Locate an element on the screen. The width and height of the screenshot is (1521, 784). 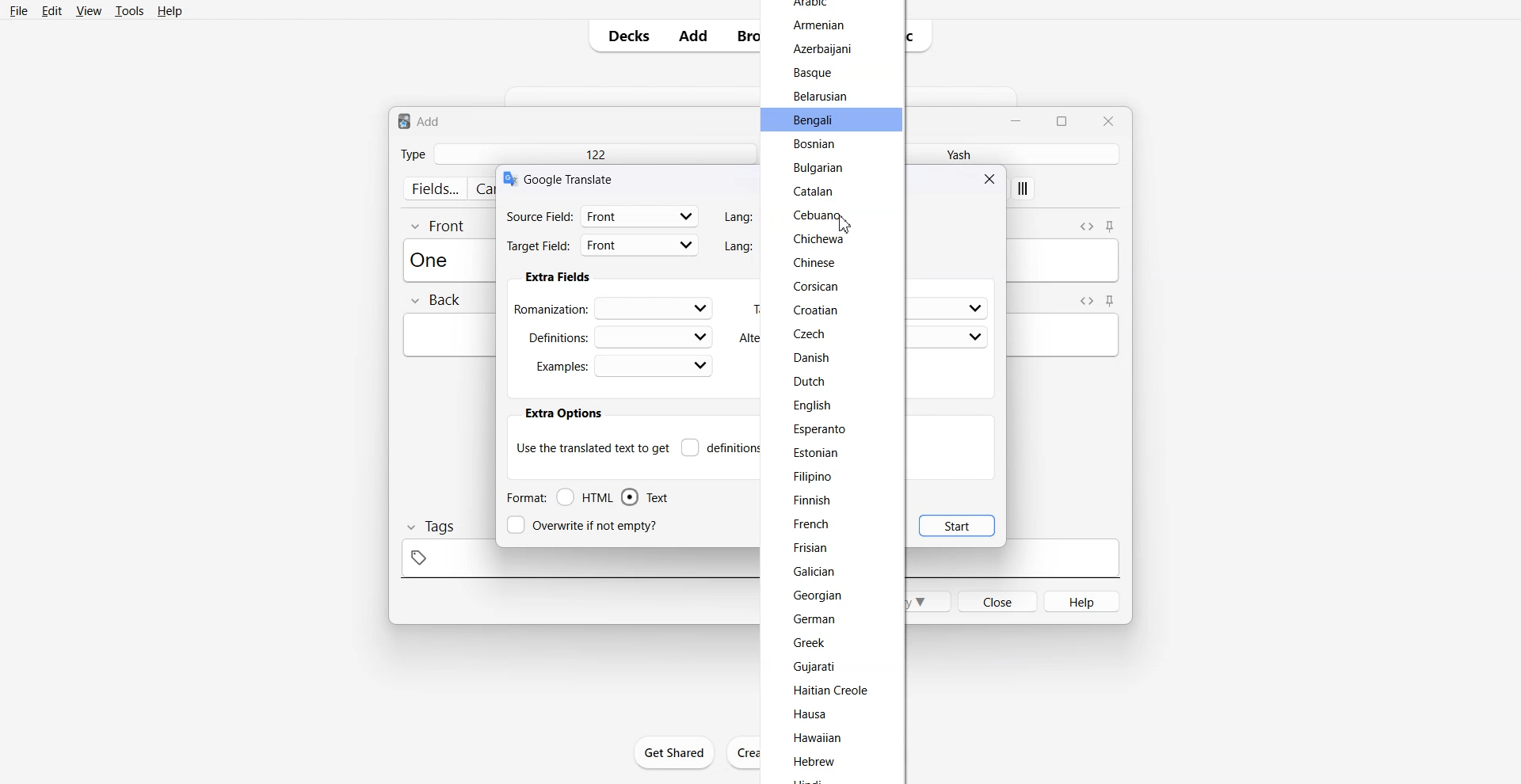
Lang: is located at coordinates (739, 245).